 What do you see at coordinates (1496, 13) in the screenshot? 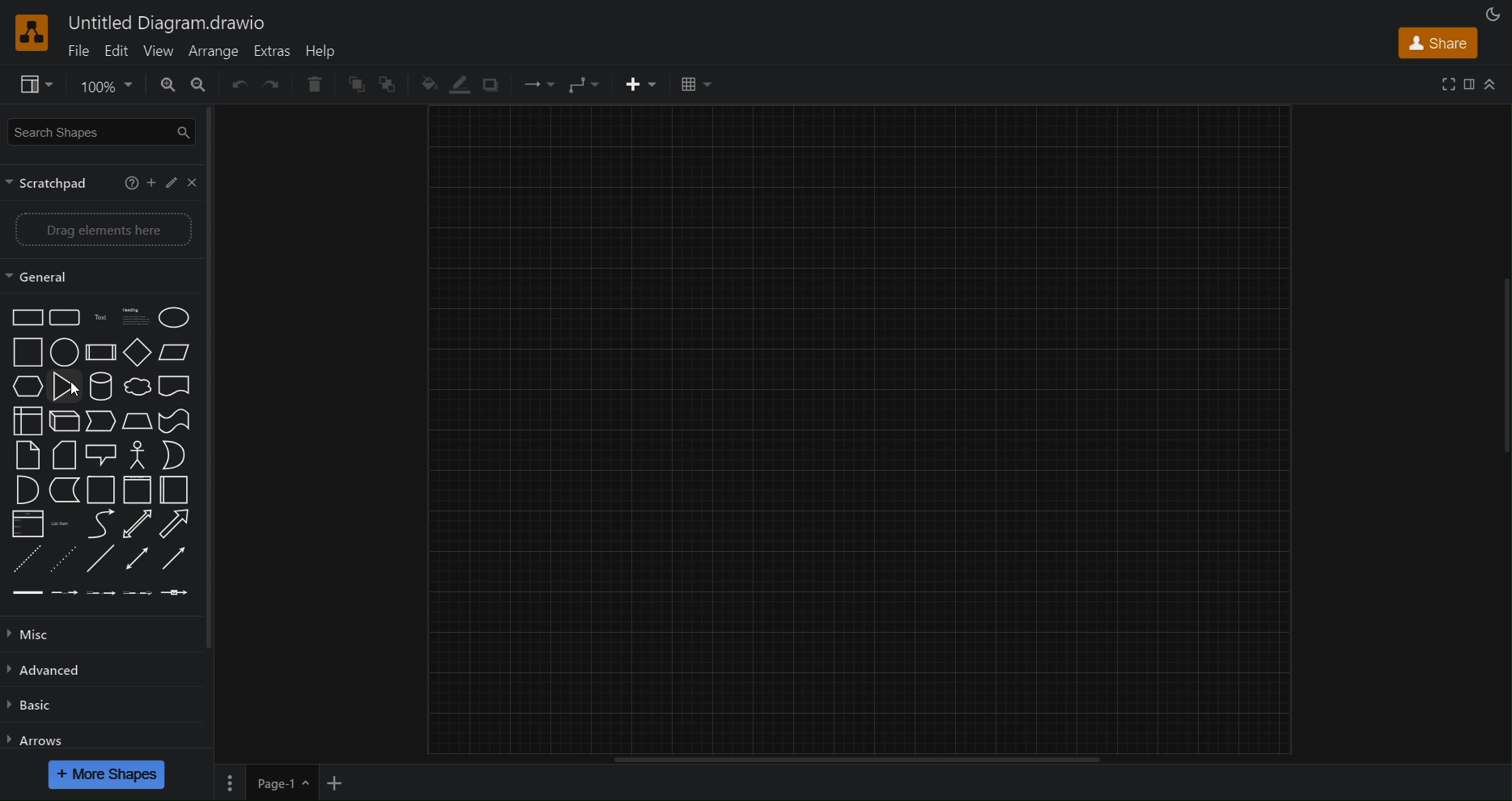
I see `Appearance` at bounding box center [1496, 13].